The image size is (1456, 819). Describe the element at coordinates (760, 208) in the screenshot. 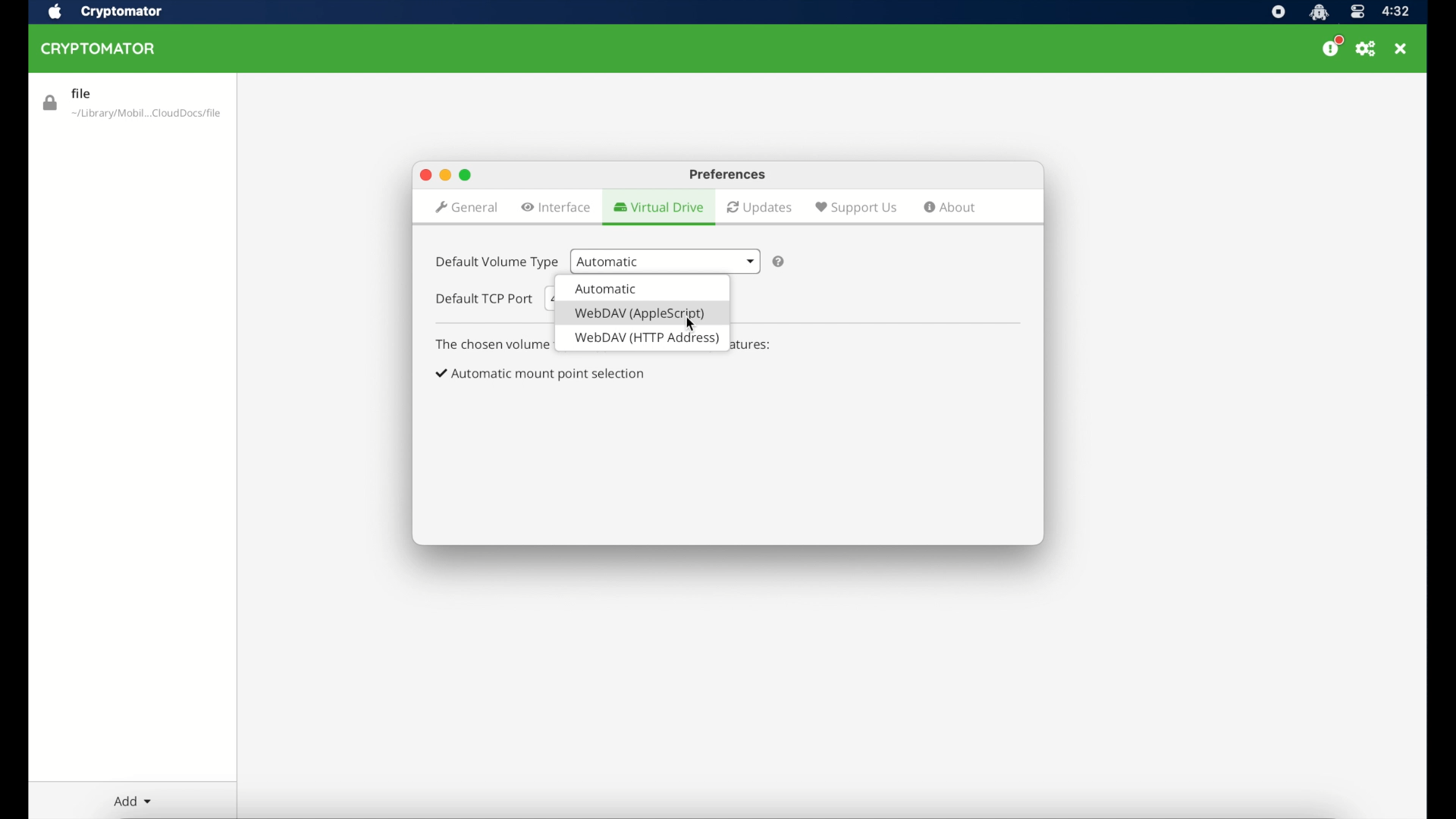

I see `updates` at that location.